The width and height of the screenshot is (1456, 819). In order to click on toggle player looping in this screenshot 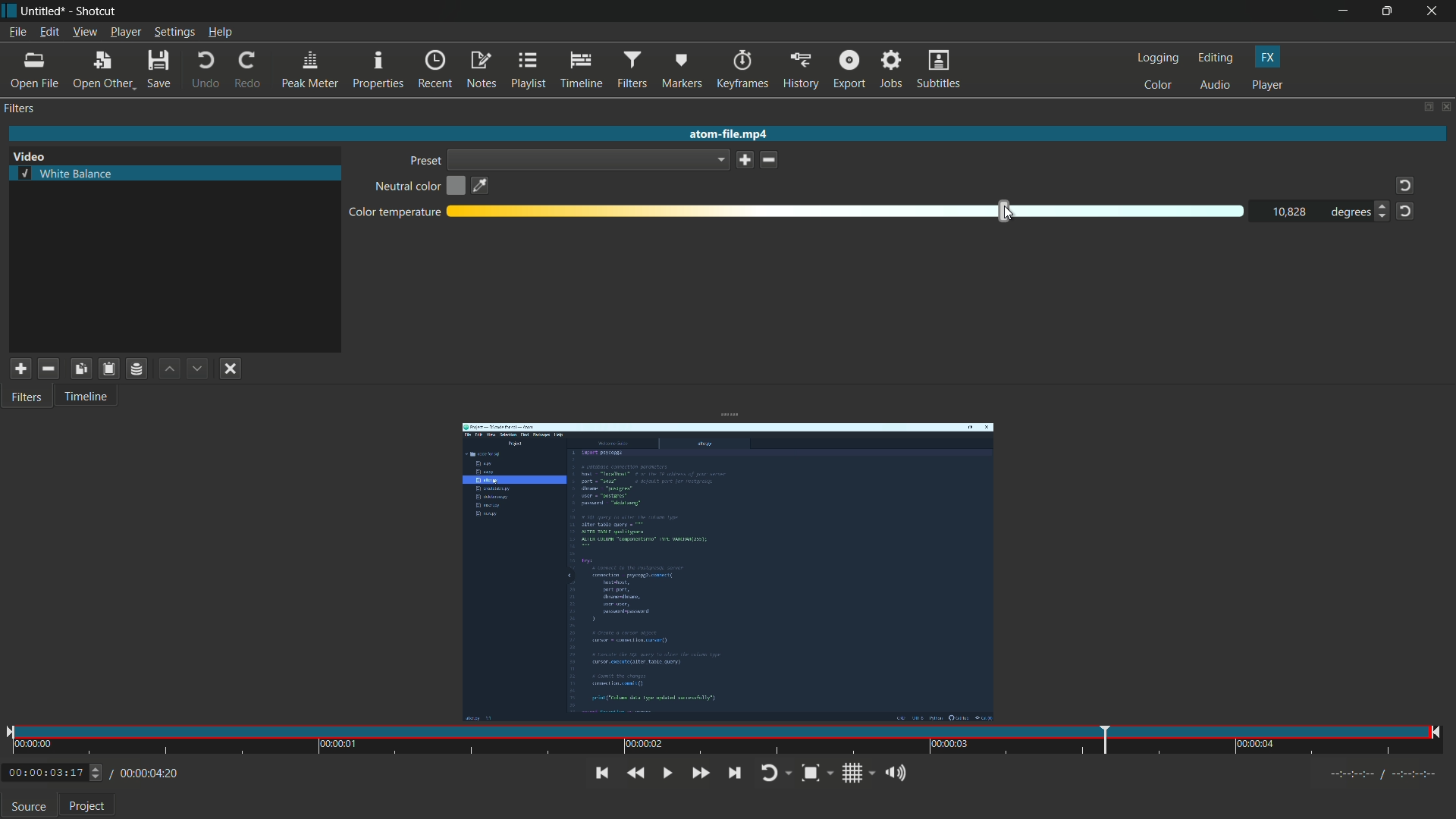, I will do `click(777, 773)`.